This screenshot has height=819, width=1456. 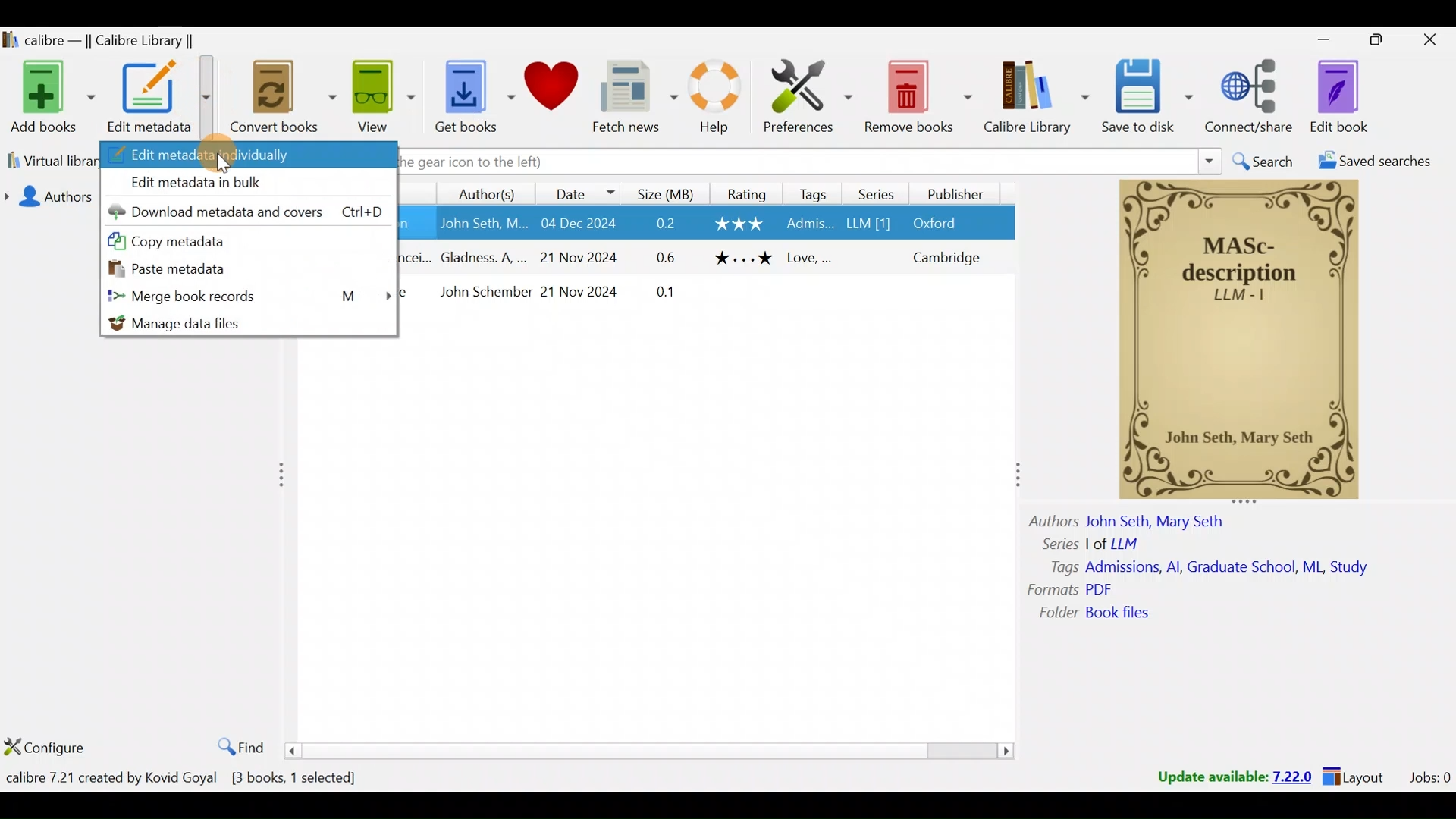 What do you see at coordinates (243, 237) in the screenshot?
I see `Copy metadata` at bounding box center [243, 237].